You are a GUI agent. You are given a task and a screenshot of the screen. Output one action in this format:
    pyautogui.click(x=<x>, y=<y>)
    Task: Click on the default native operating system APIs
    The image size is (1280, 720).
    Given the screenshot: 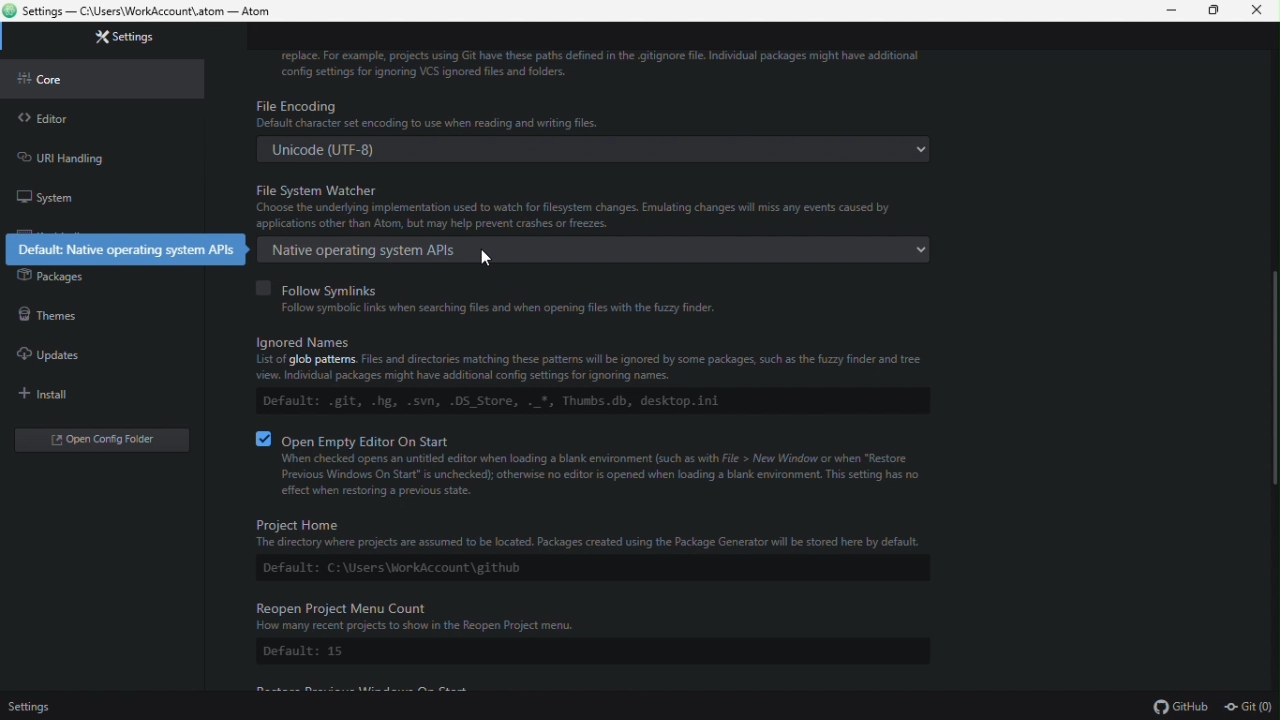 What is the action you would take?
    pyautogui.click(x=127, y=246)
    